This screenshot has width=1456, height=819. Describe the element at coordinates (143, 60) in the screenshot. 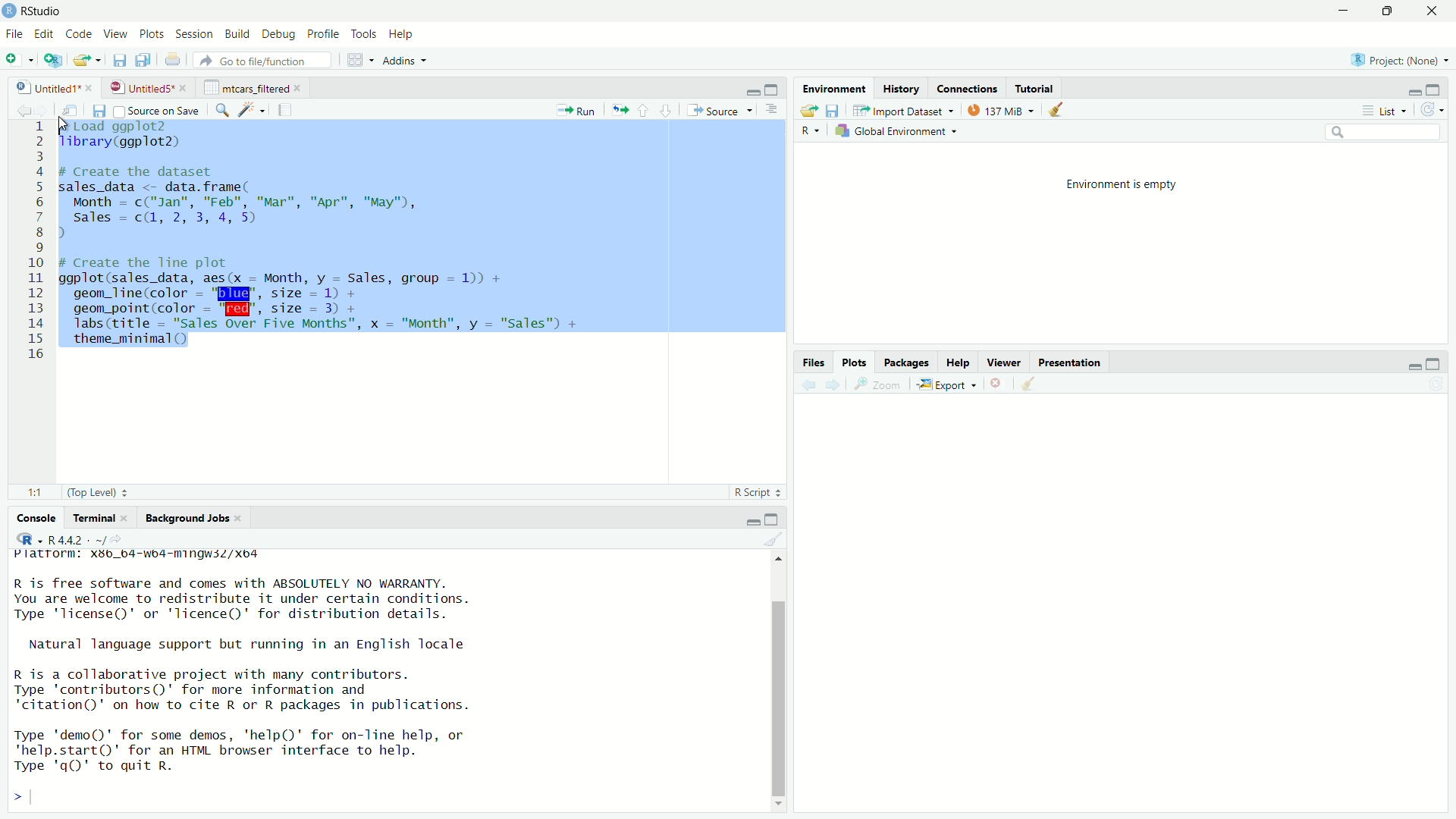

I see `save all` at that location.